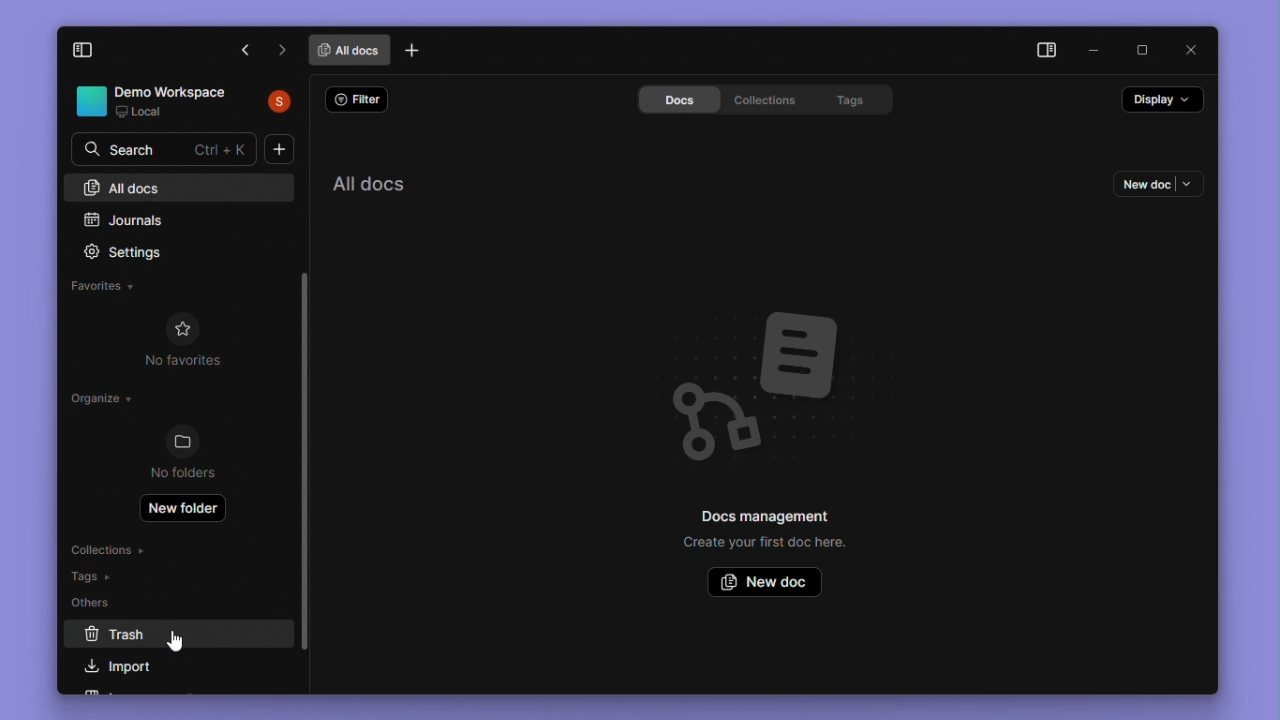  I want to click on new tab, so click(419, 51).